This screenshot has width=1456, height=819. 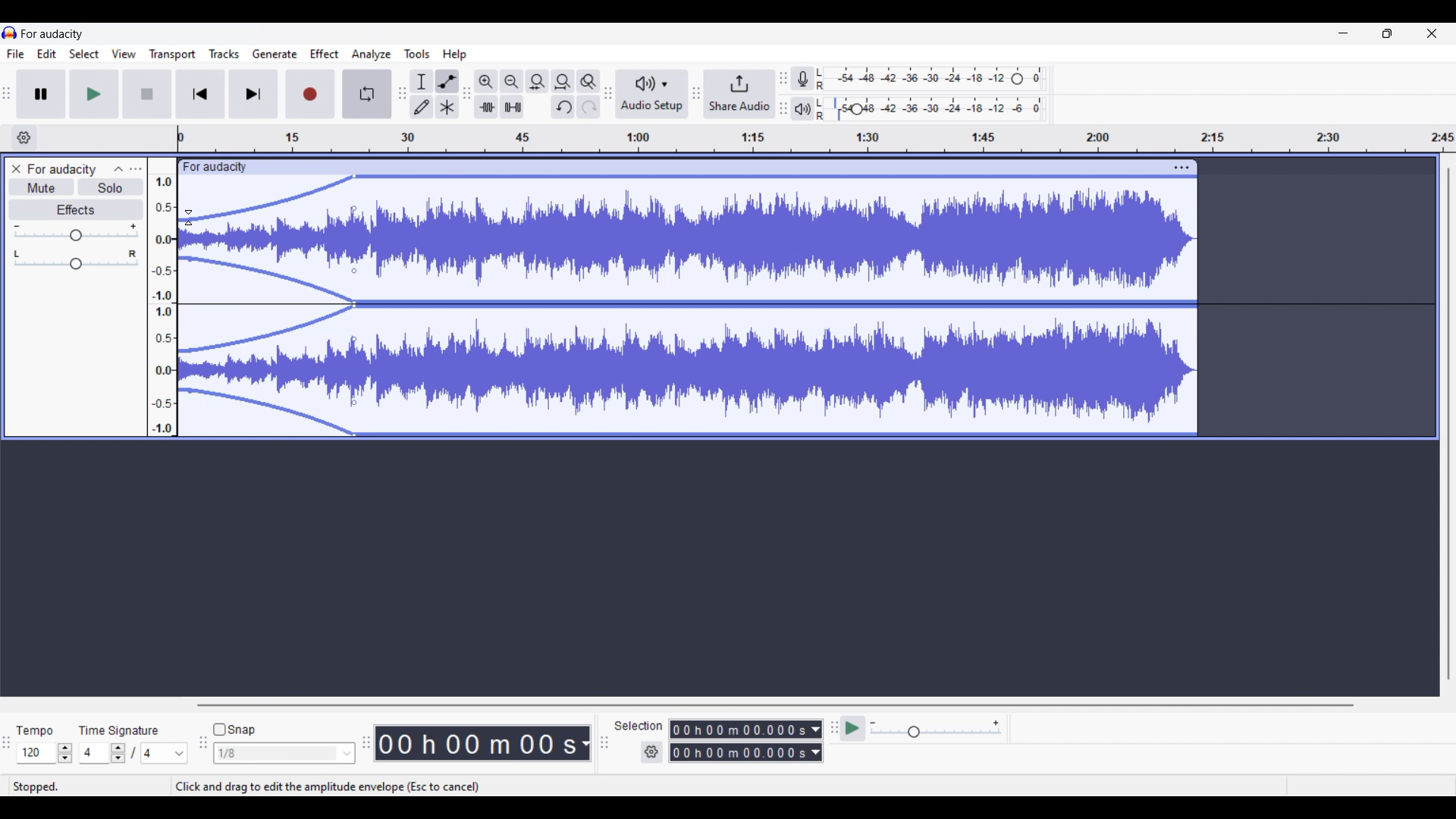 I want to click on Record meter, so click(x=802, y=78).